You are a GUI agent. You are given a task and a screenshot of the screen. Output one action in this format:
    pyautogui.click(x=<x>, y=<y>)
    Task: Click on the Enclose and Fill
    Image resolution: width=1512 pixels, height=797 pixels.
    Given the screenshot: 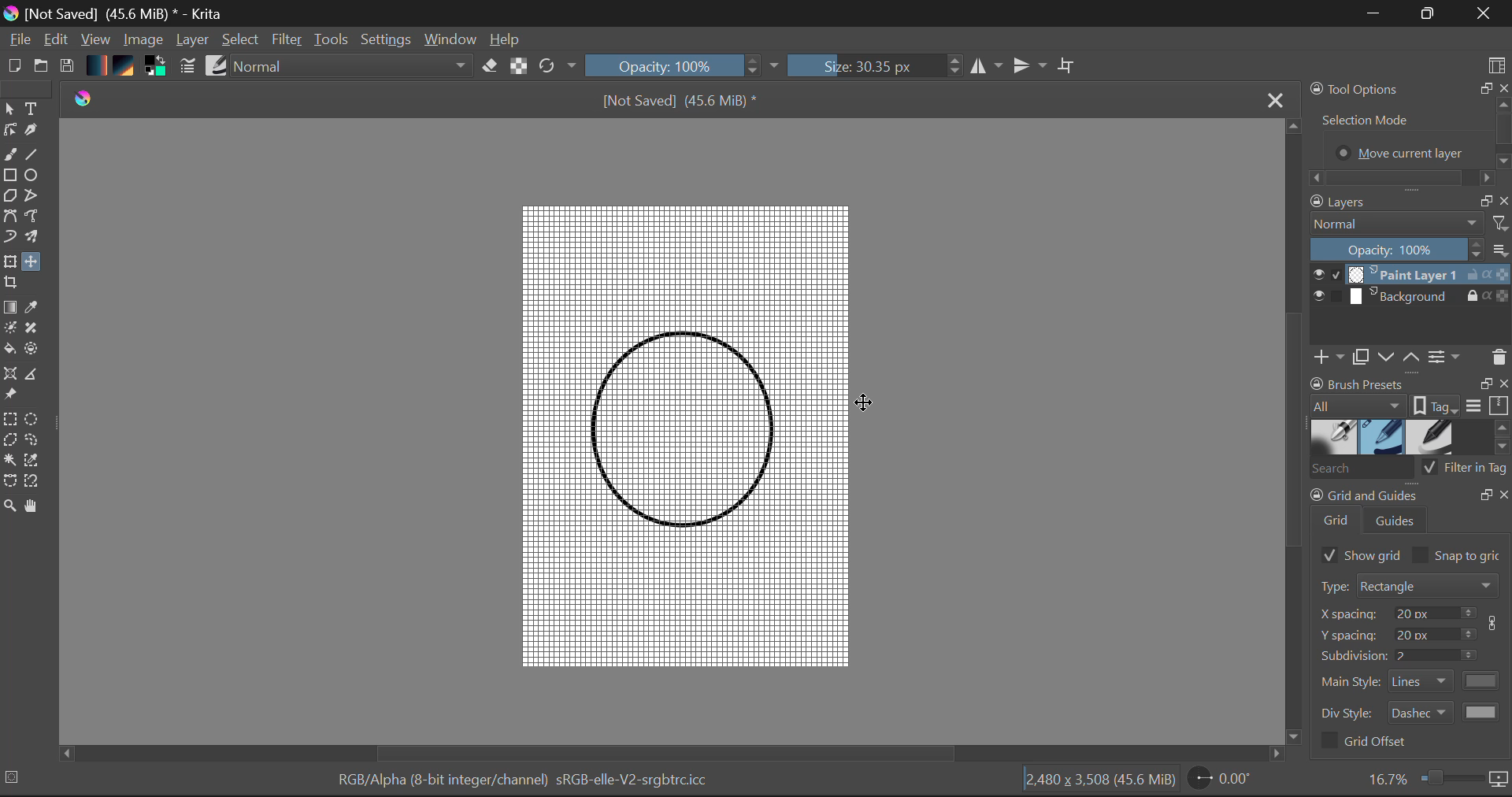 What is the action you would take?
    pyautogui.click(x=36, y=352)
    